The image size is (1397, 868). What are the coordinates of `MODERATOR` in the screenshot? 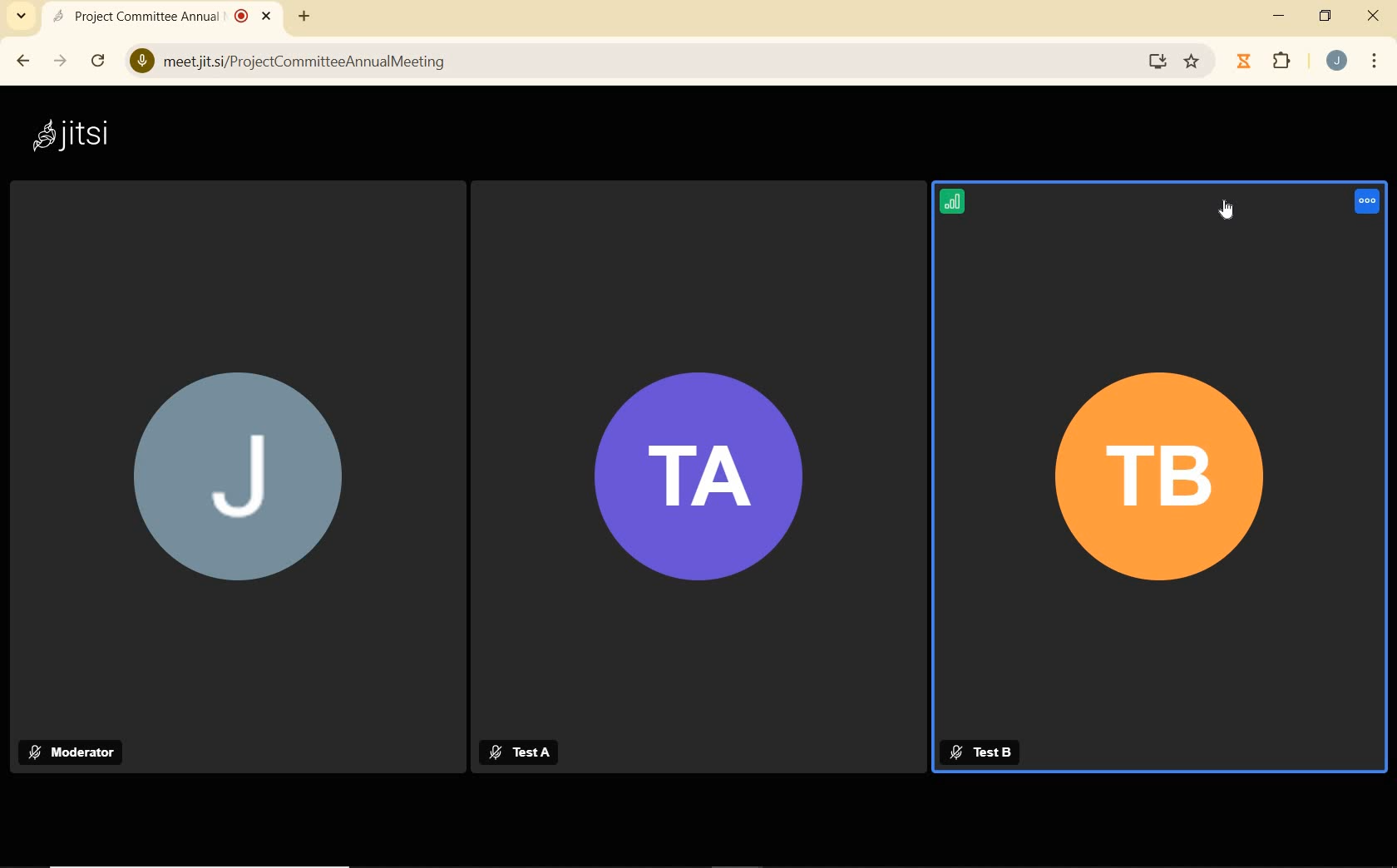 It's located at (74, 752).